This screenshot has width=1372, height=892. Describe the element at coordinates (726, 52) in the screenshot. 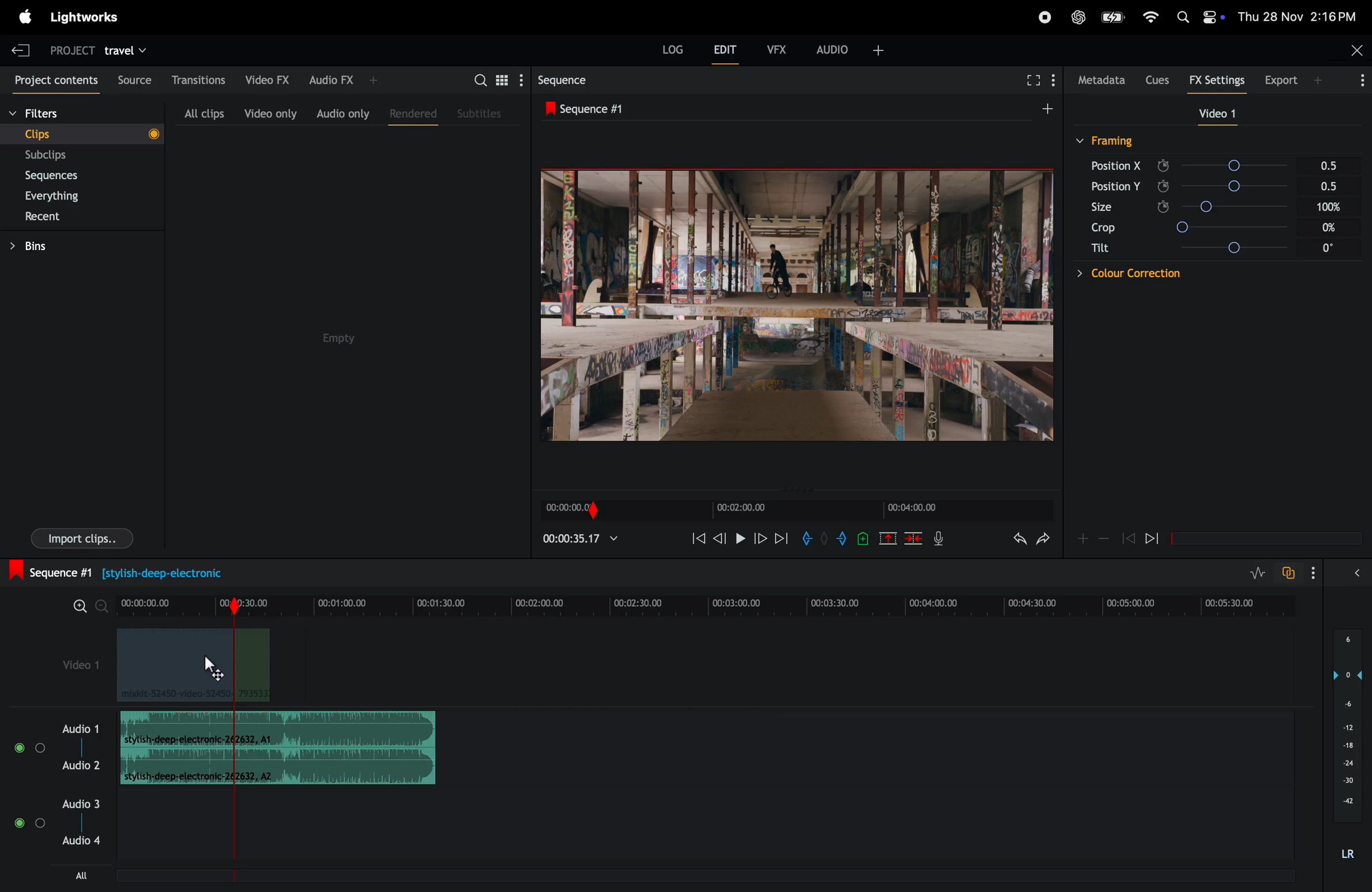

I see `edit` at that location.